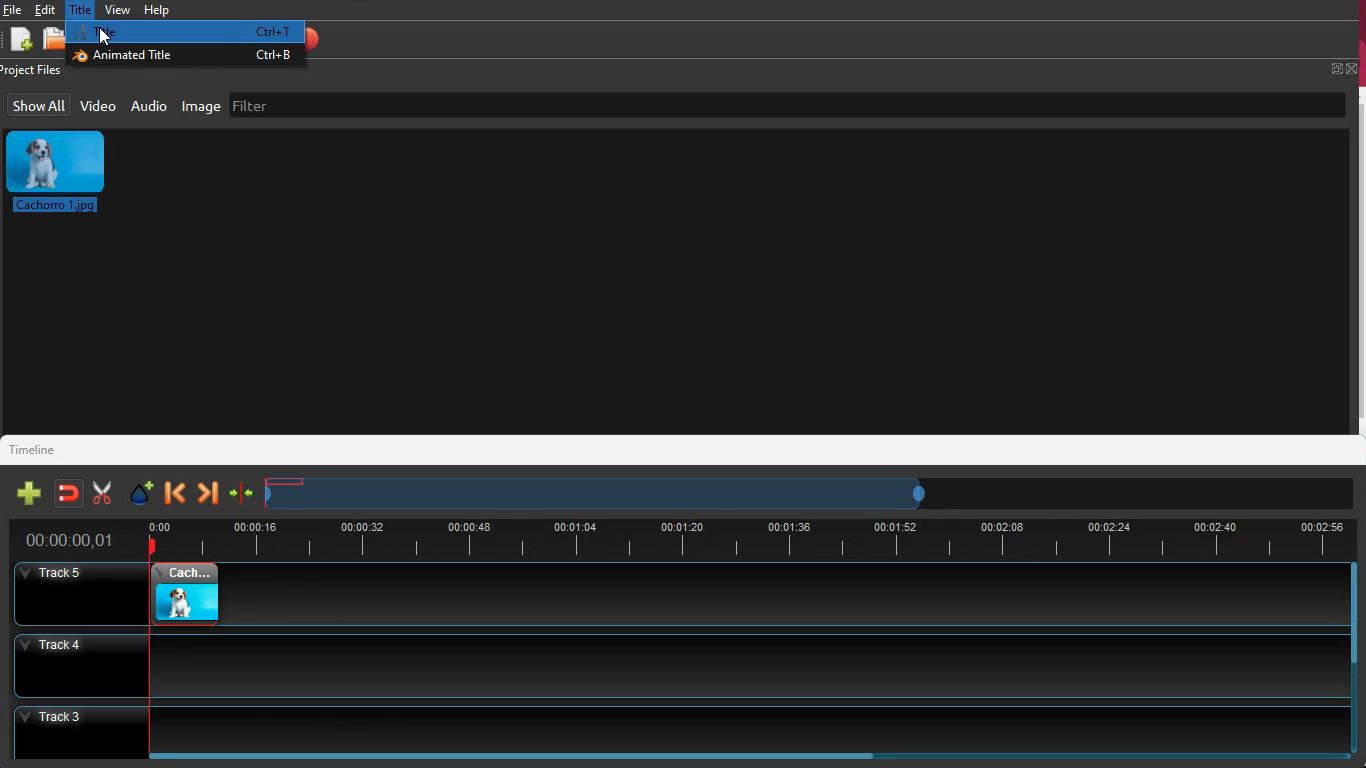 This screenshot has width=1366, height=768. Describe the element at coordinates (64, 172) in the screenshot. I see `image` at that location.